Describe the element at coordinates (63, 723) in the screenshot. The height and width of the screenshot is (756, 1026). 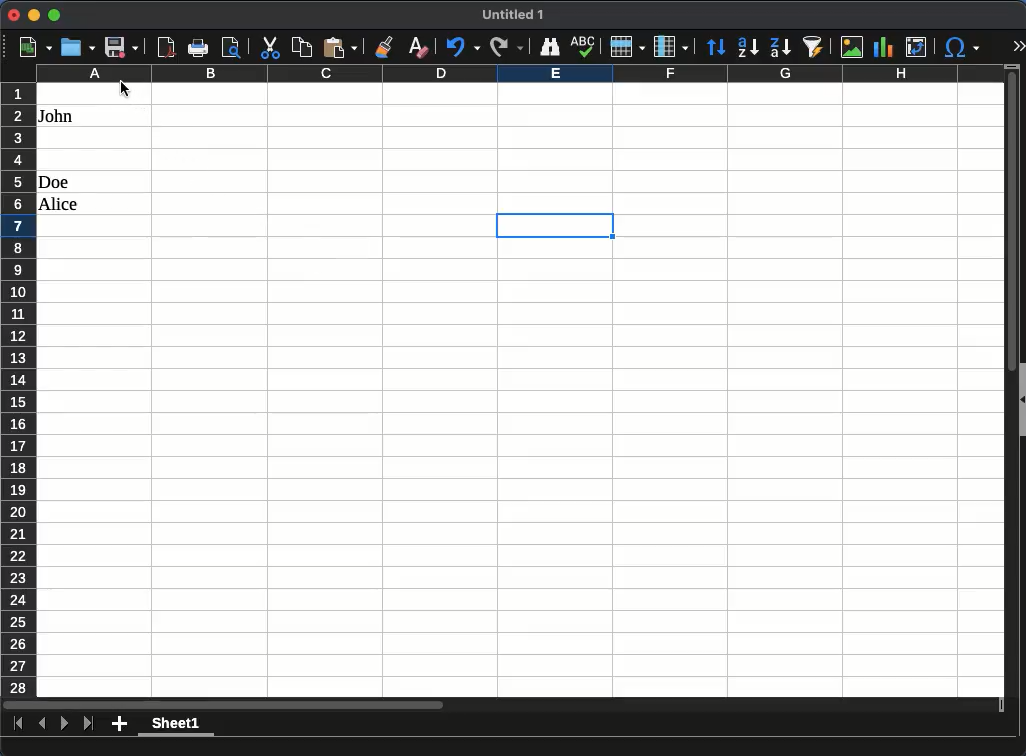
I see `next sheet` at that location.